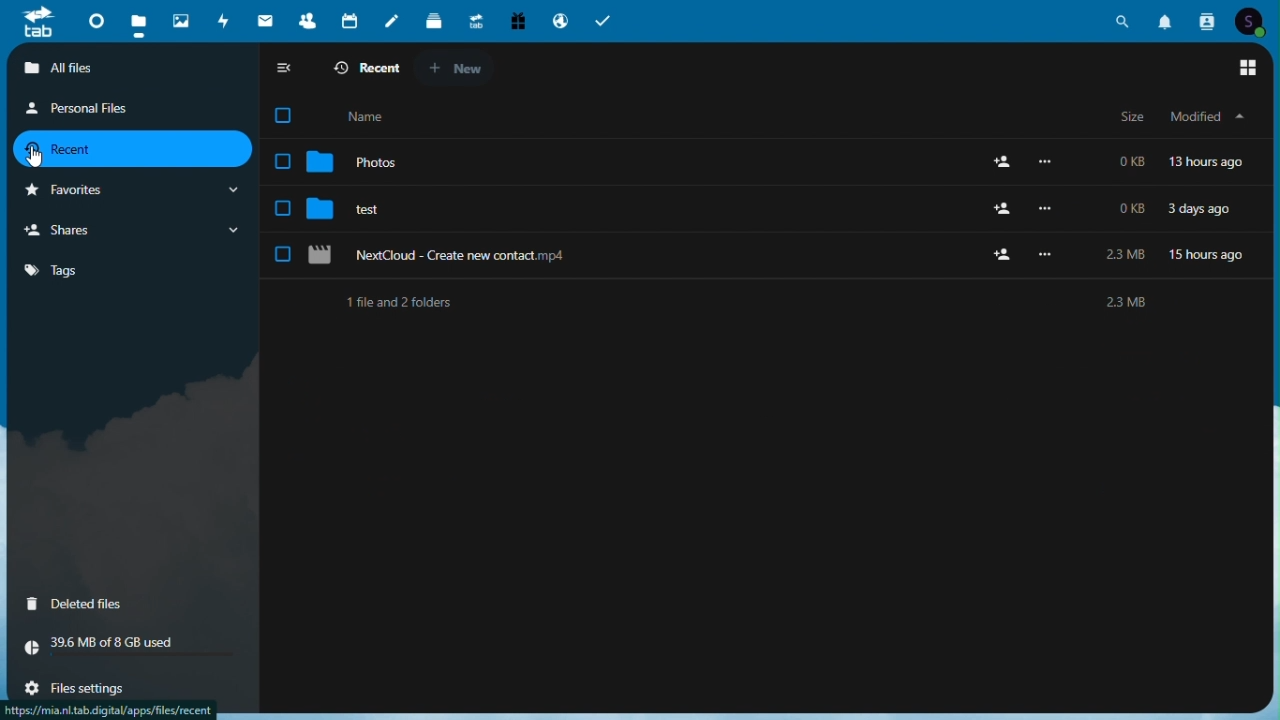 This screenshot has height=720, width=1280. What do you see at coordinates (1124, 22) in the screenshot?
I see `search` at bounding box center [1124, 22].